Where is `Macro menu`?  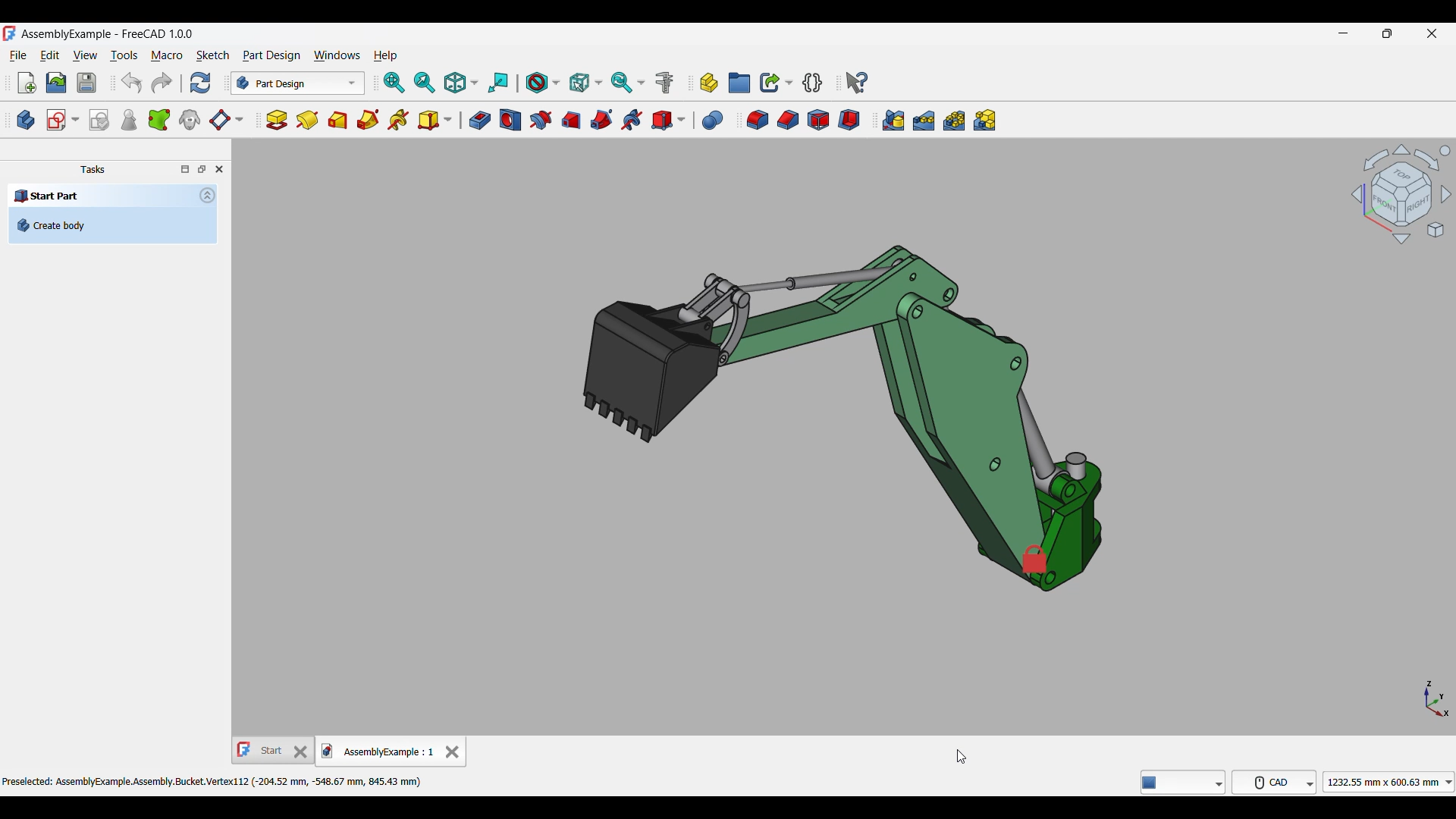 Macro menu is located at coordinates (167, 56).